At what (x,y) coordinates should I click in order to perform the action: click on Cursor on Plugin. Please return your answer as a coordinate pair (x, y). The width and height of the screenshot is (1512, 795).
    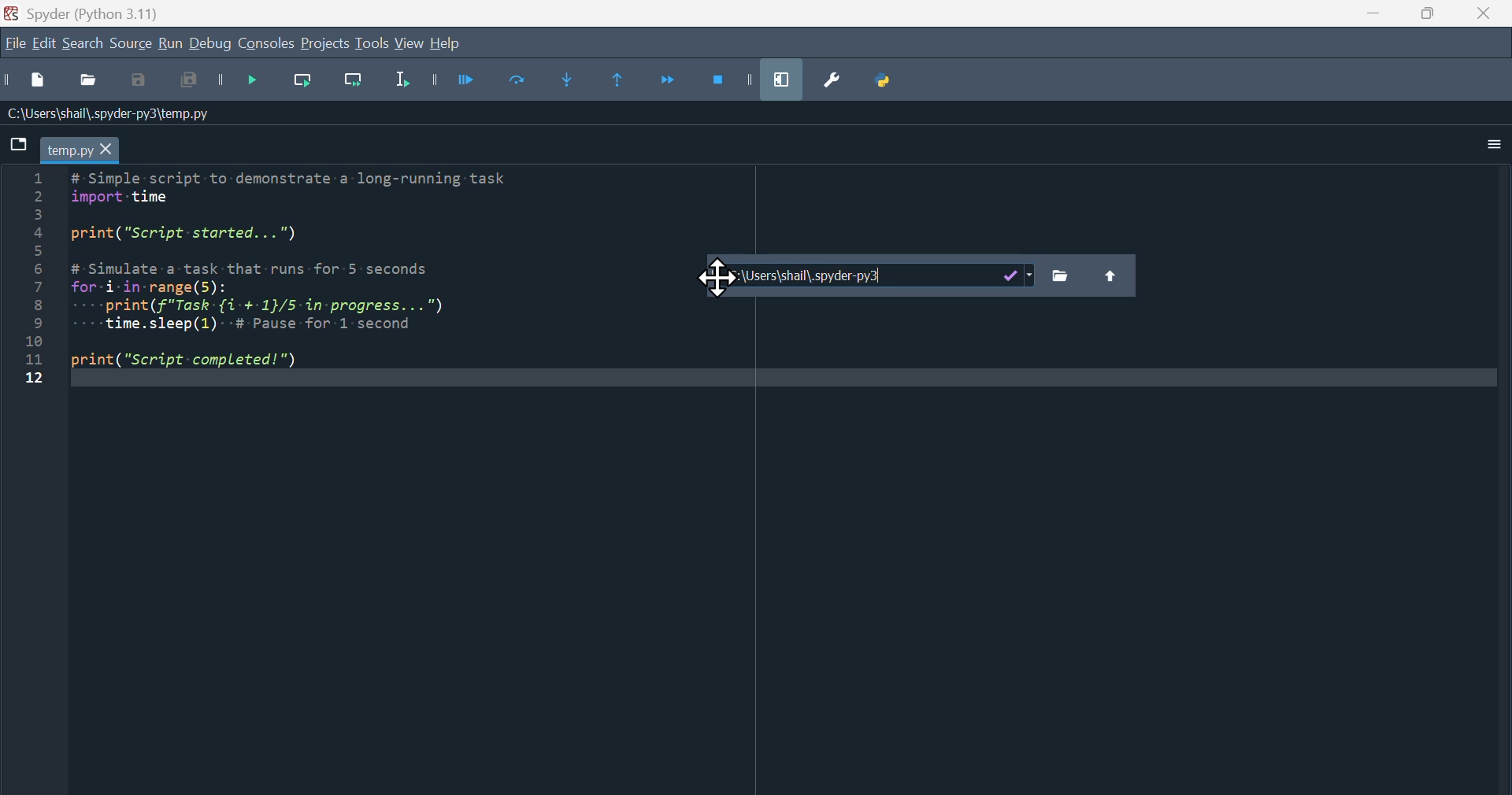
    Looking at the image, I should click on (717, 272).